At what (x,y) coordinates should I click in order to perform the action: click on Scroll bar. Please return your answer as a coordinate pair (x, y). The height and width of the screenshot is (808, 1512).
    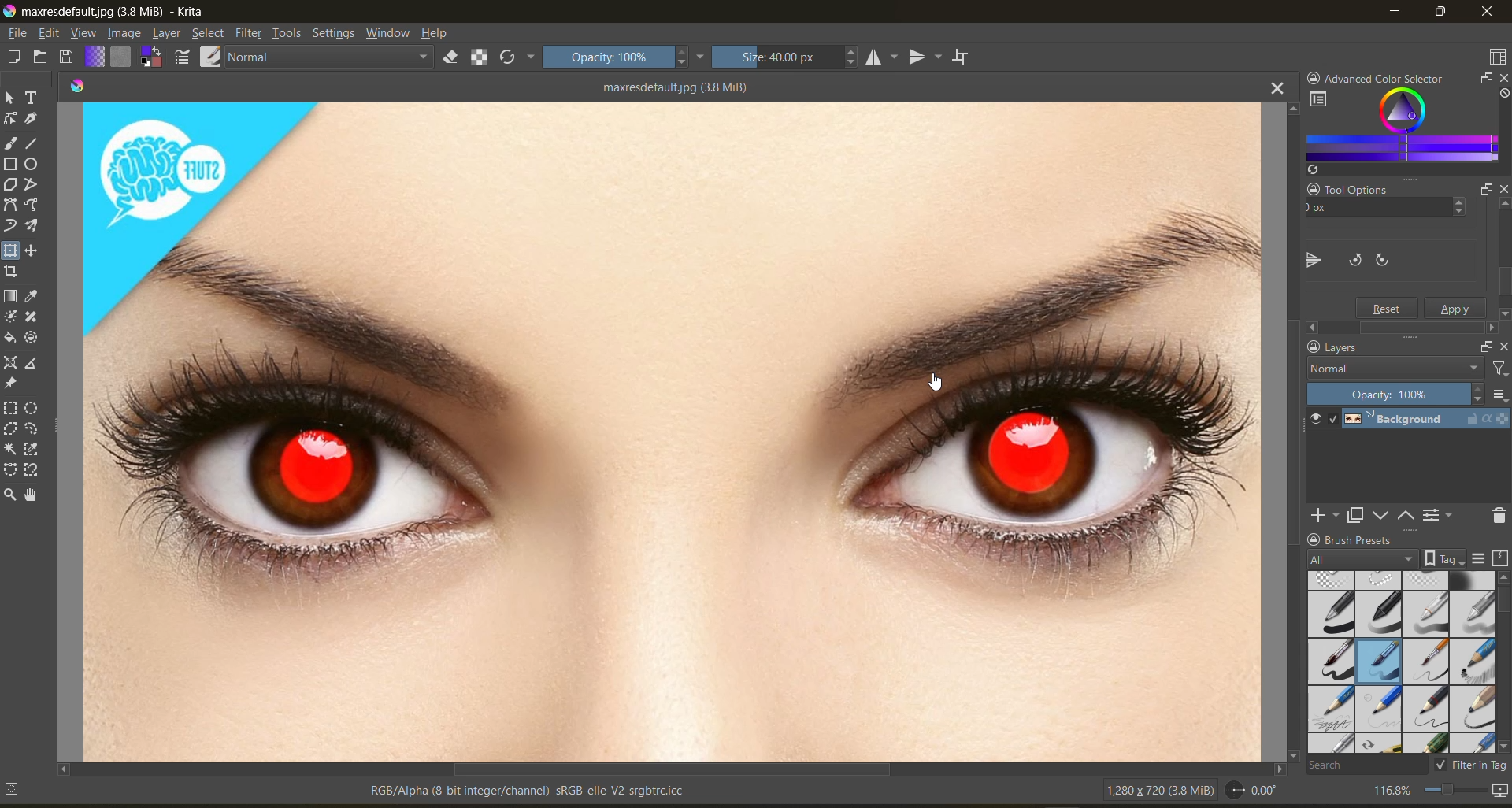
    Looking at the image, I should click on (1402, 327).